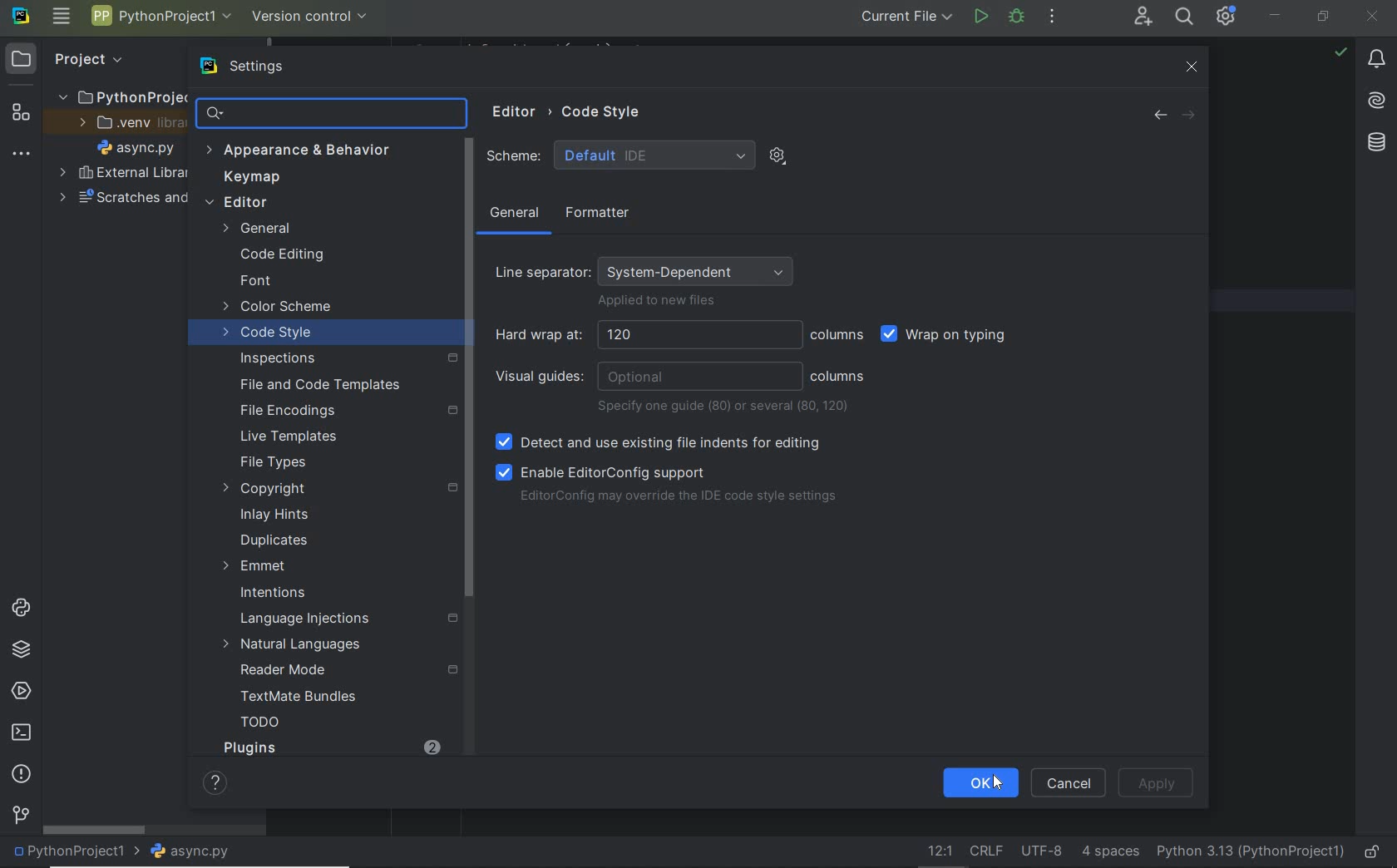 Image resolution: width=1397 pixels, height=868 pixels. Describe the element at coordinates (1108, 852) in the screenshot. I see `indent` at that location.